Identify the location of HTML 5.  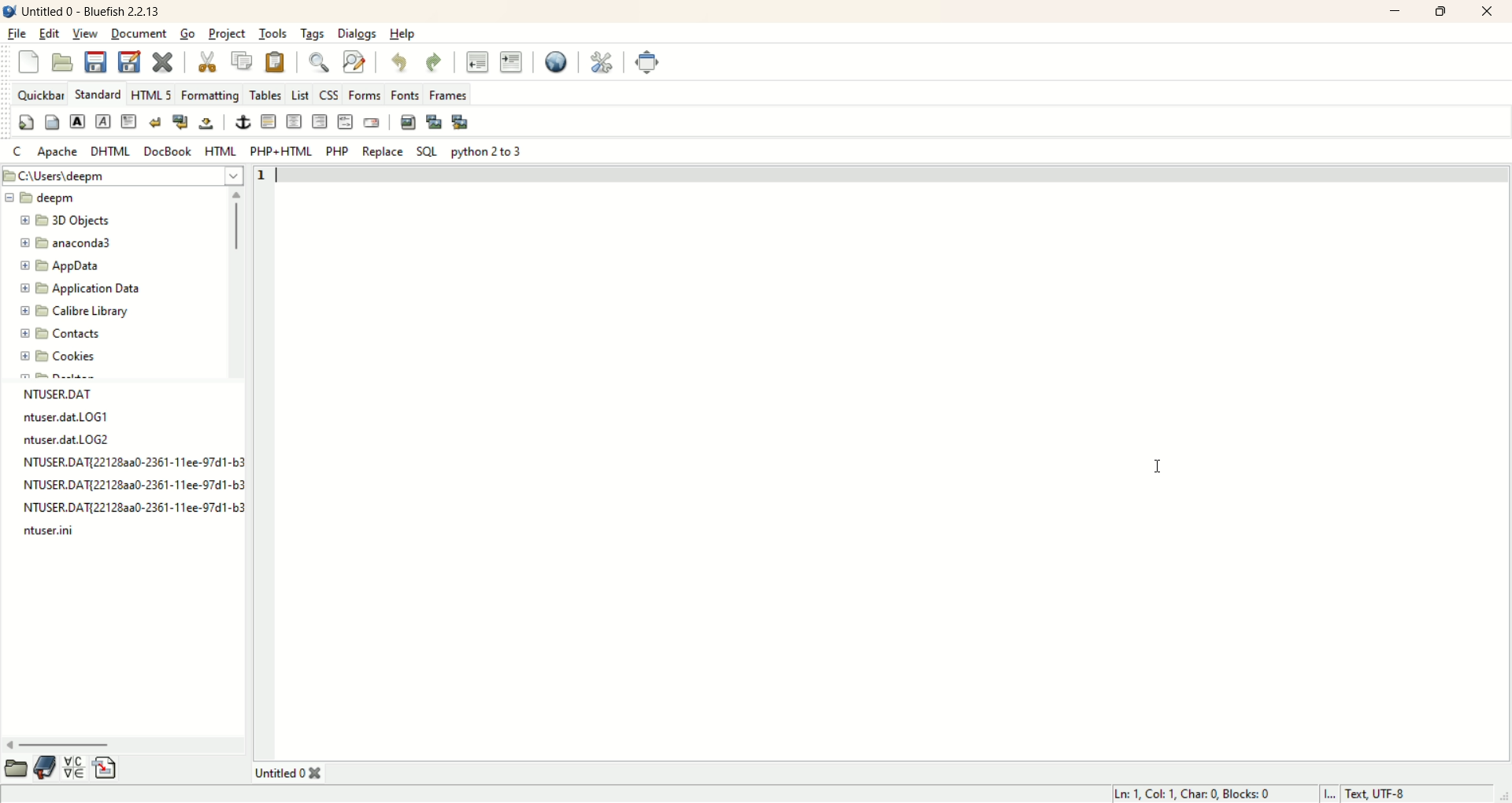
(152, 94).